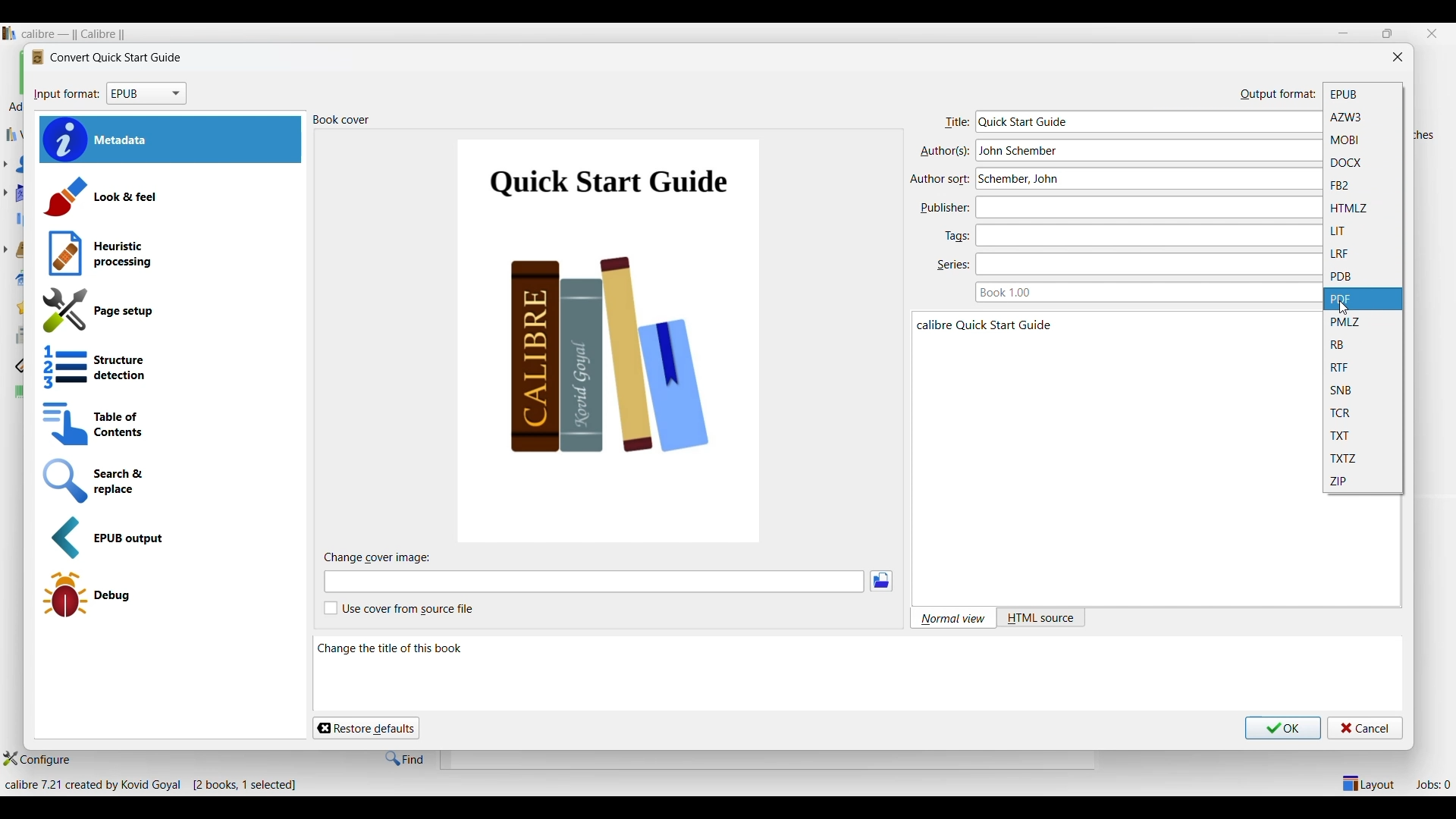  Describe the element at coordinates (1432, 34) in the screenshot. I see `Close interface` at that location.